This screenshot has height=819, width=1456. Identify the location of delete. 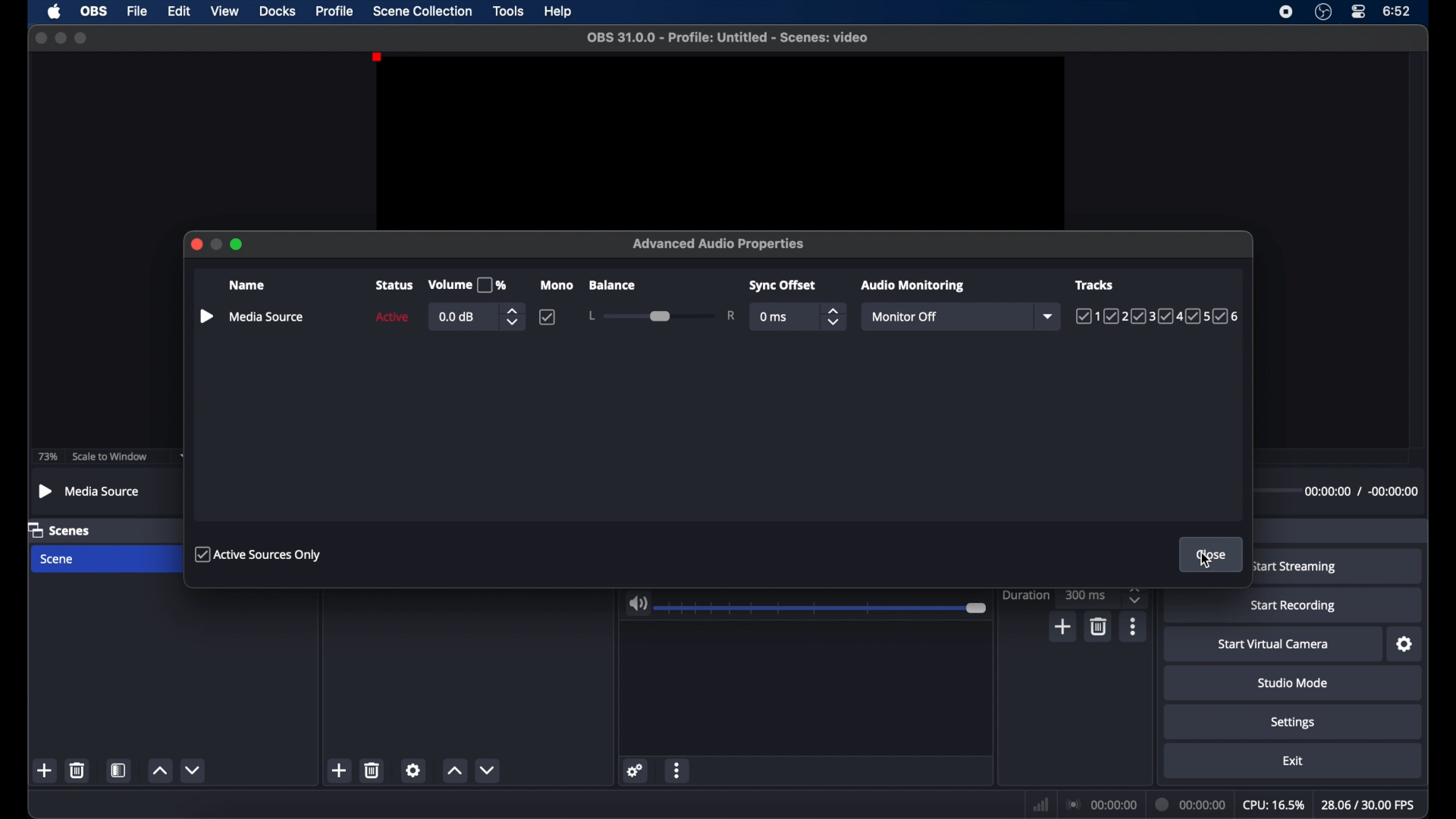
(77, 770).